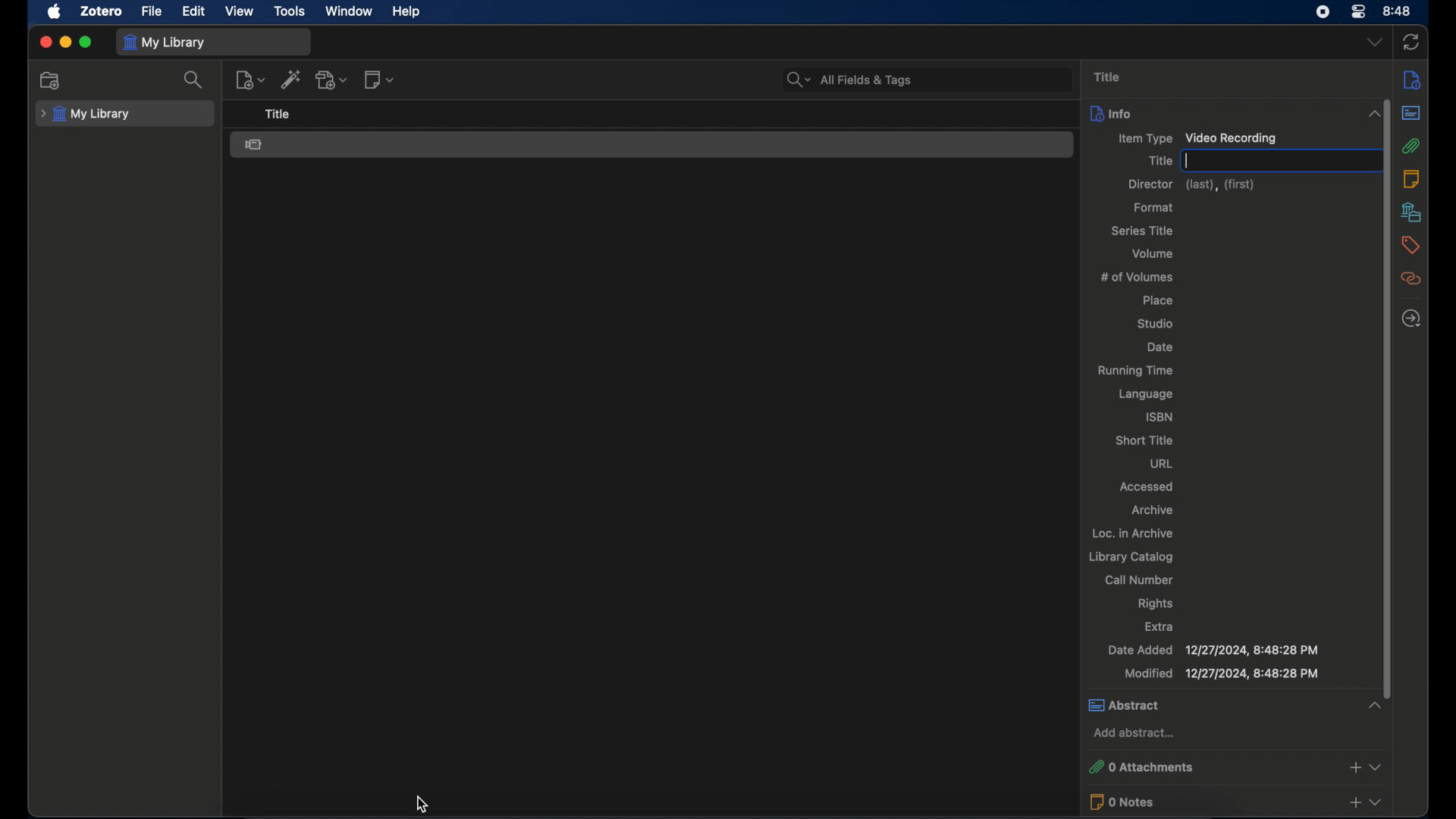  I want to click on cursor, so click(420, 804).